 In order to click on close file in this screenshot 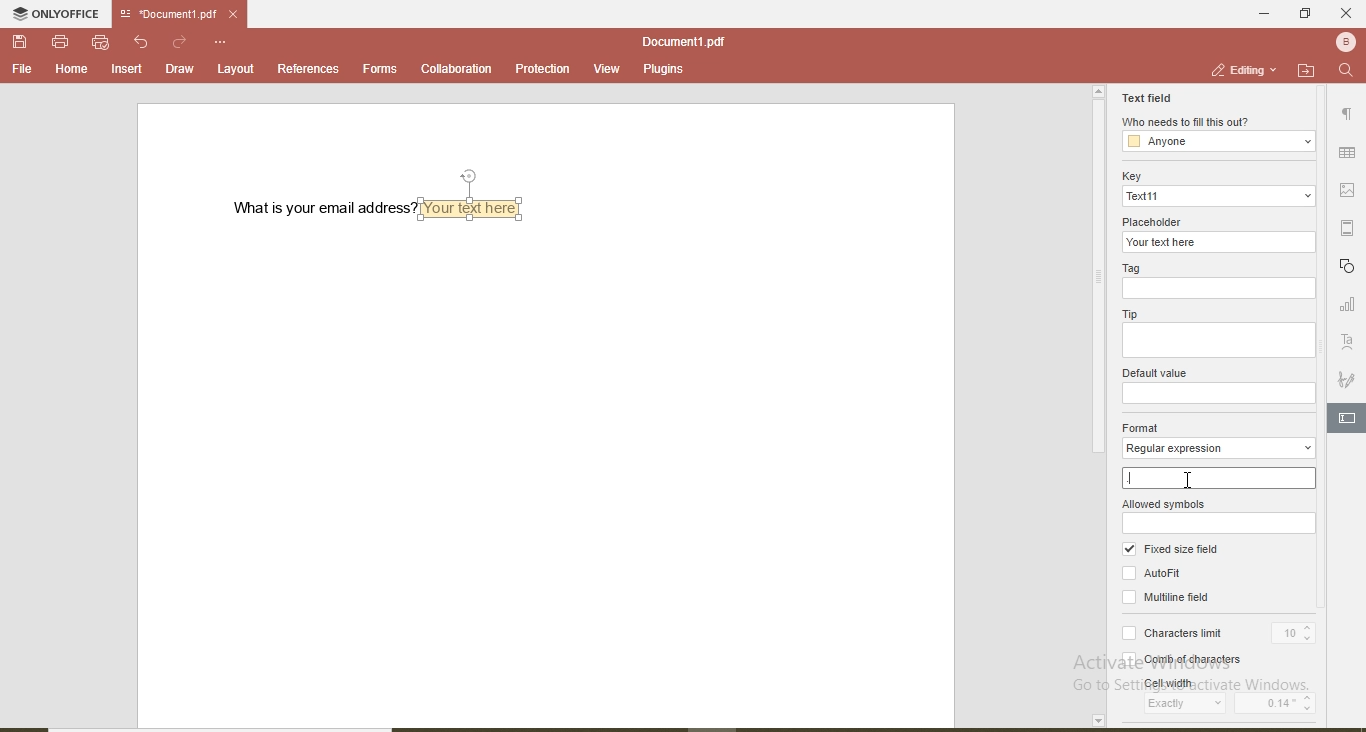, I will do `click(240, 14)`.